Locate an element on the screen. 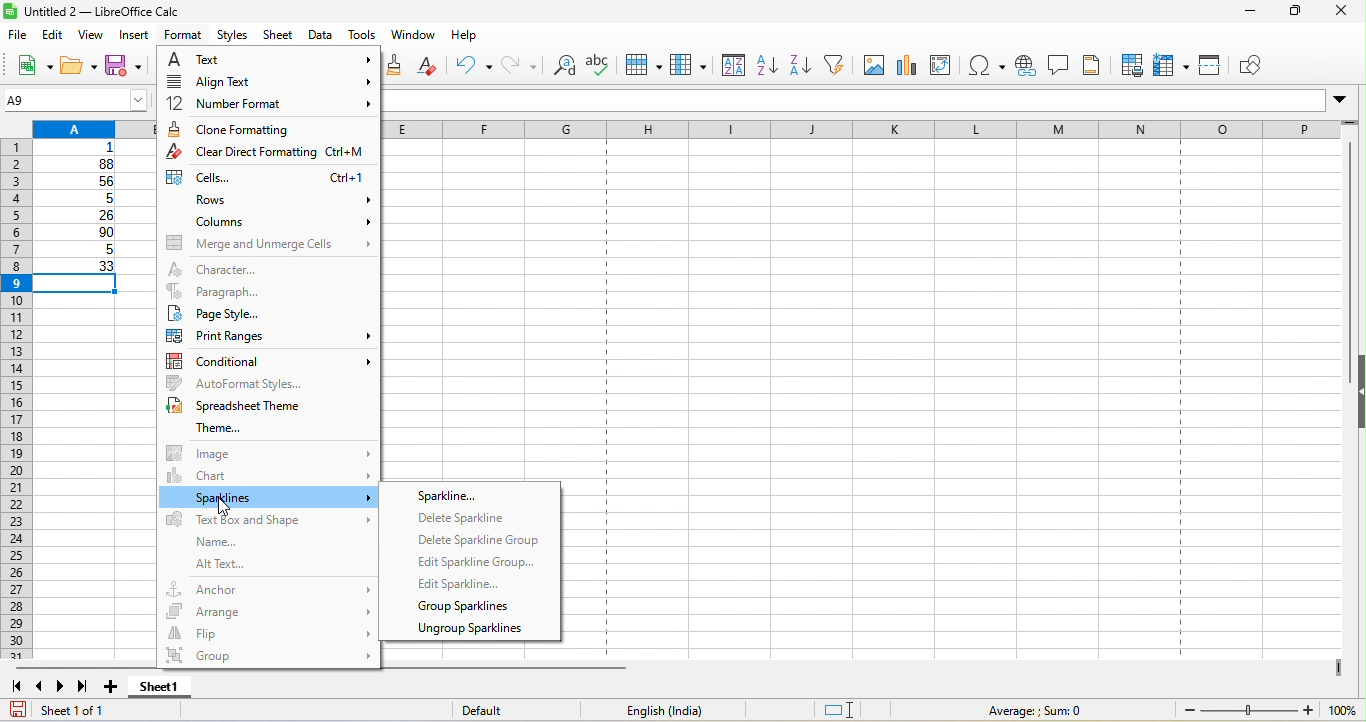 Image resolution: width=1366 pixels, height=722 pixels. freeze rows and column is located at coordinates (1173, 65).